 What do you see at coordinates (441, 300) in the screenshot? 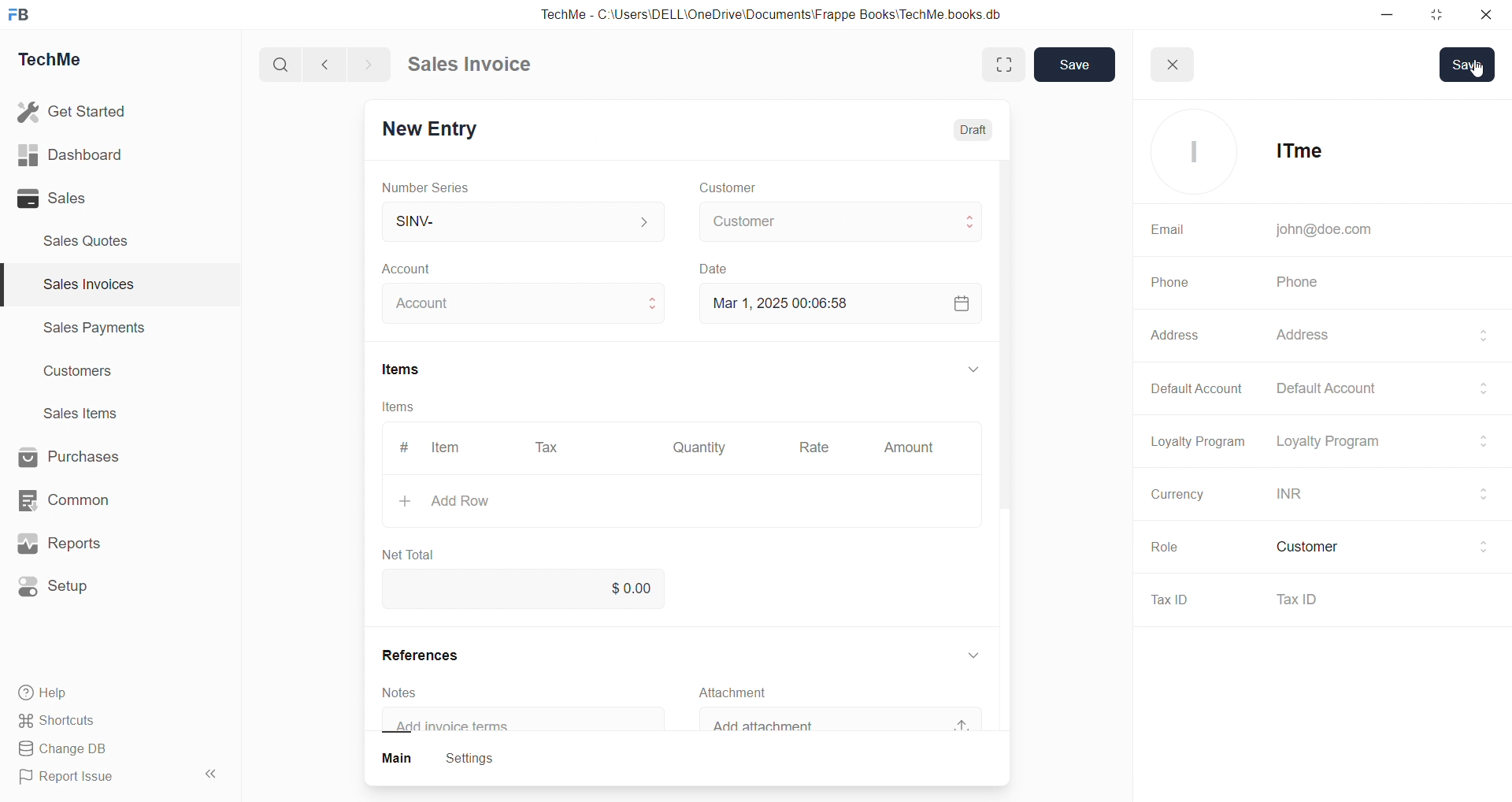
I see `Account` at bounding box center [441, 300].